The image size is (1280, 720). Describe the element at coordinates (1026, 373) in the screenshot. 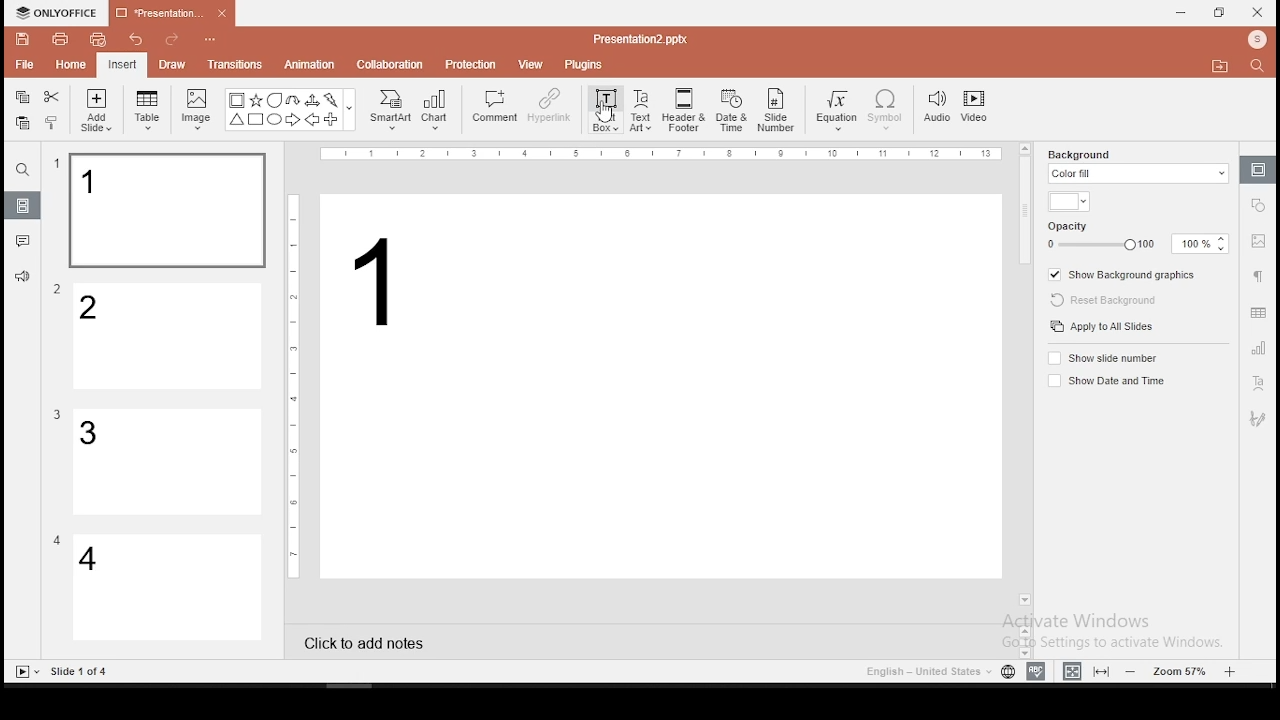

I see `scroll bar` at that location.